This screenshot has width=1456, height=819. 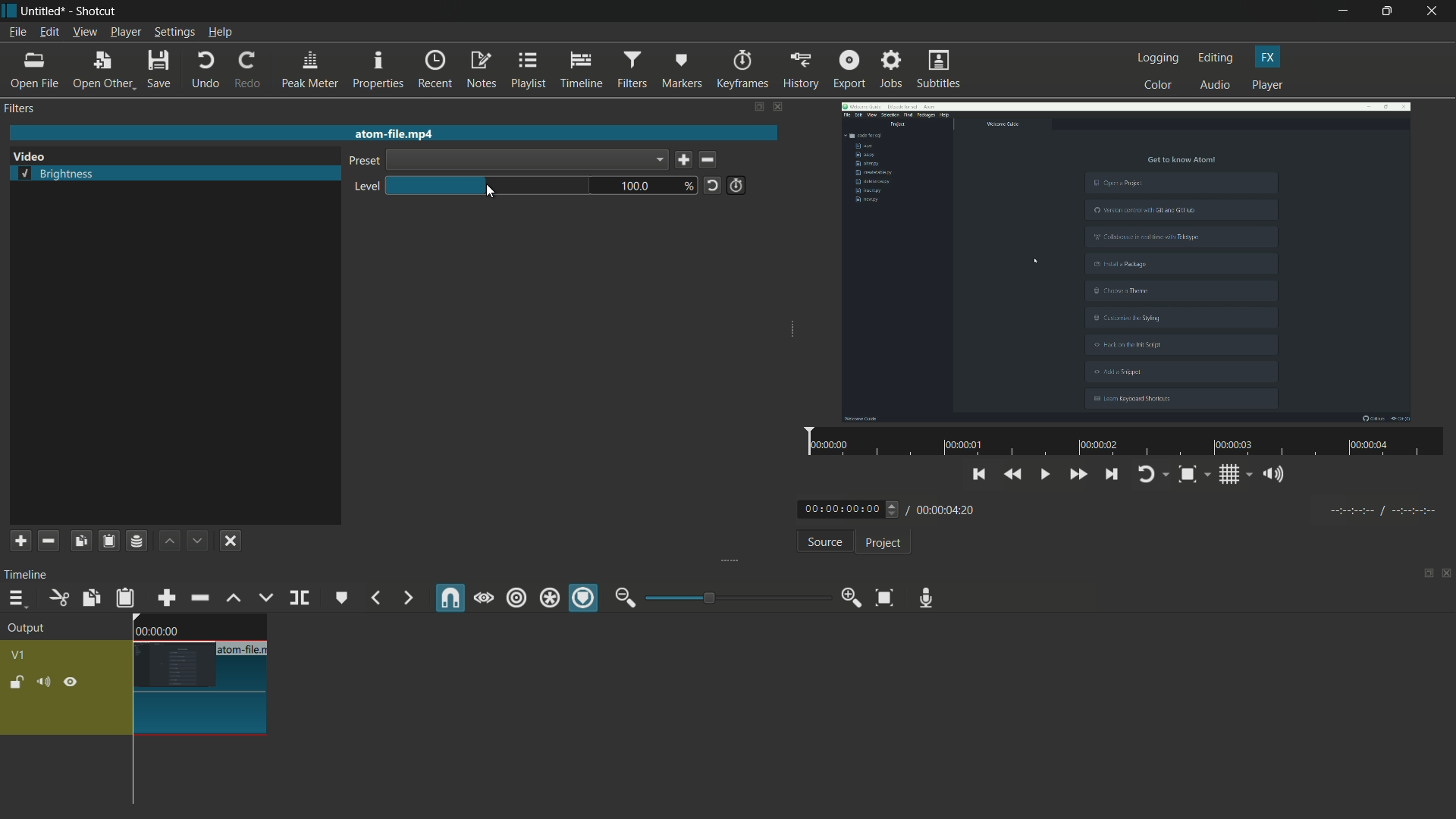 I want to click on output, so click(x=31, y=629).